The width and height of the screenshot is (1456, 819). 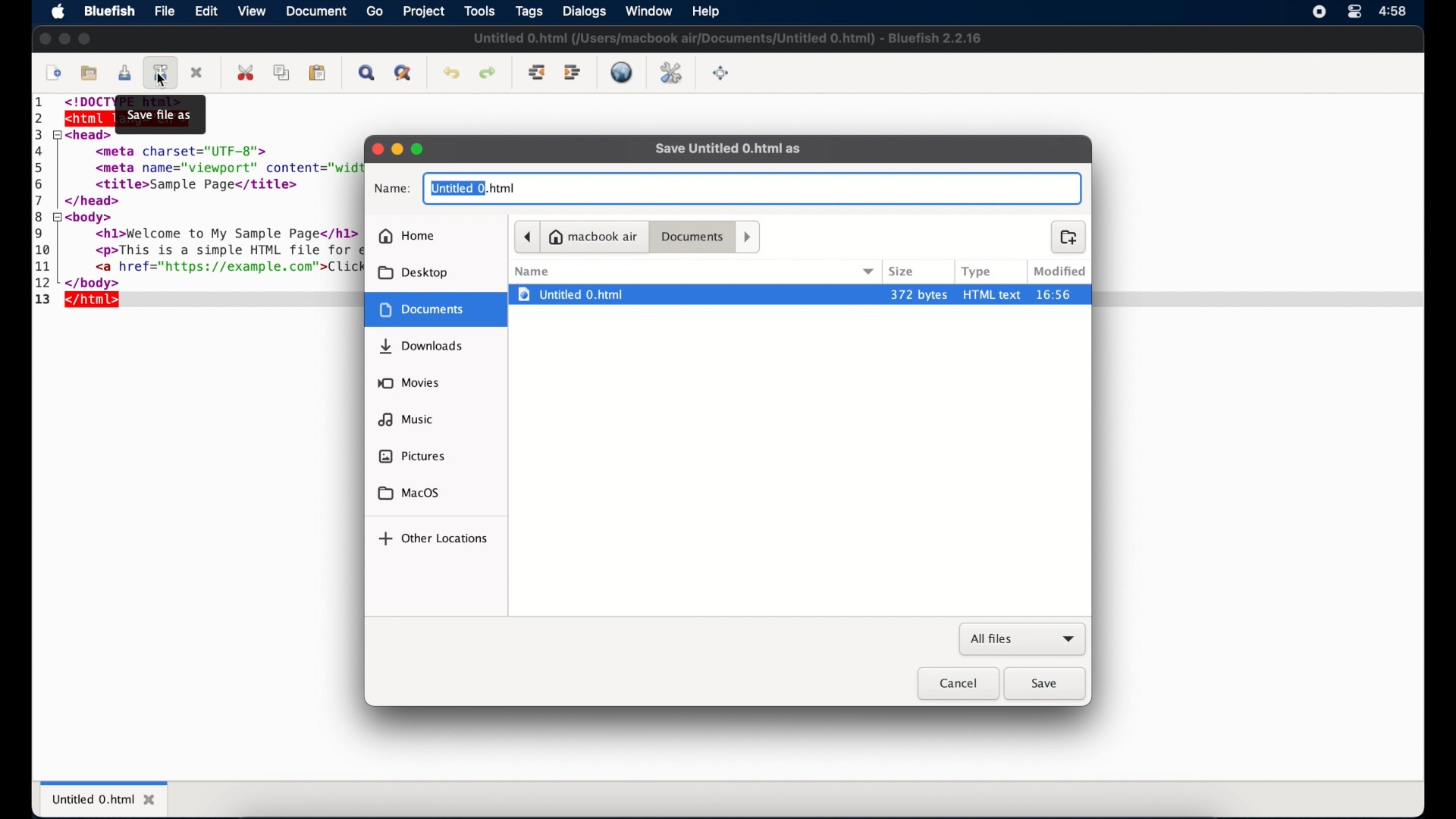 I want to click on minimize, so click(x=397, y=149).